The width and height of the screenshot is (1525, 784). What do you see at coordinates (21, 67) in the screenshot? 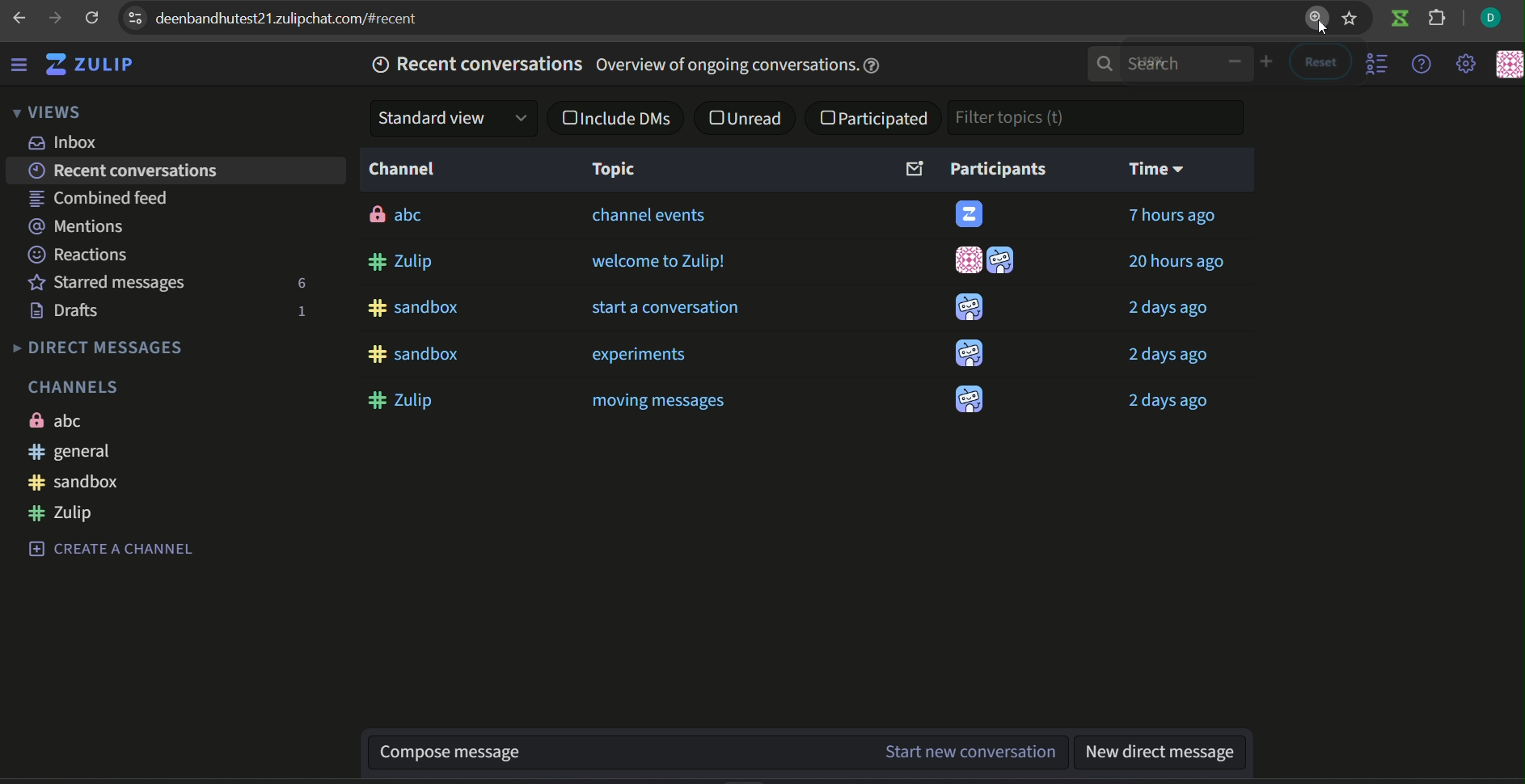
I see `menu` at bounding box center [21, 67].